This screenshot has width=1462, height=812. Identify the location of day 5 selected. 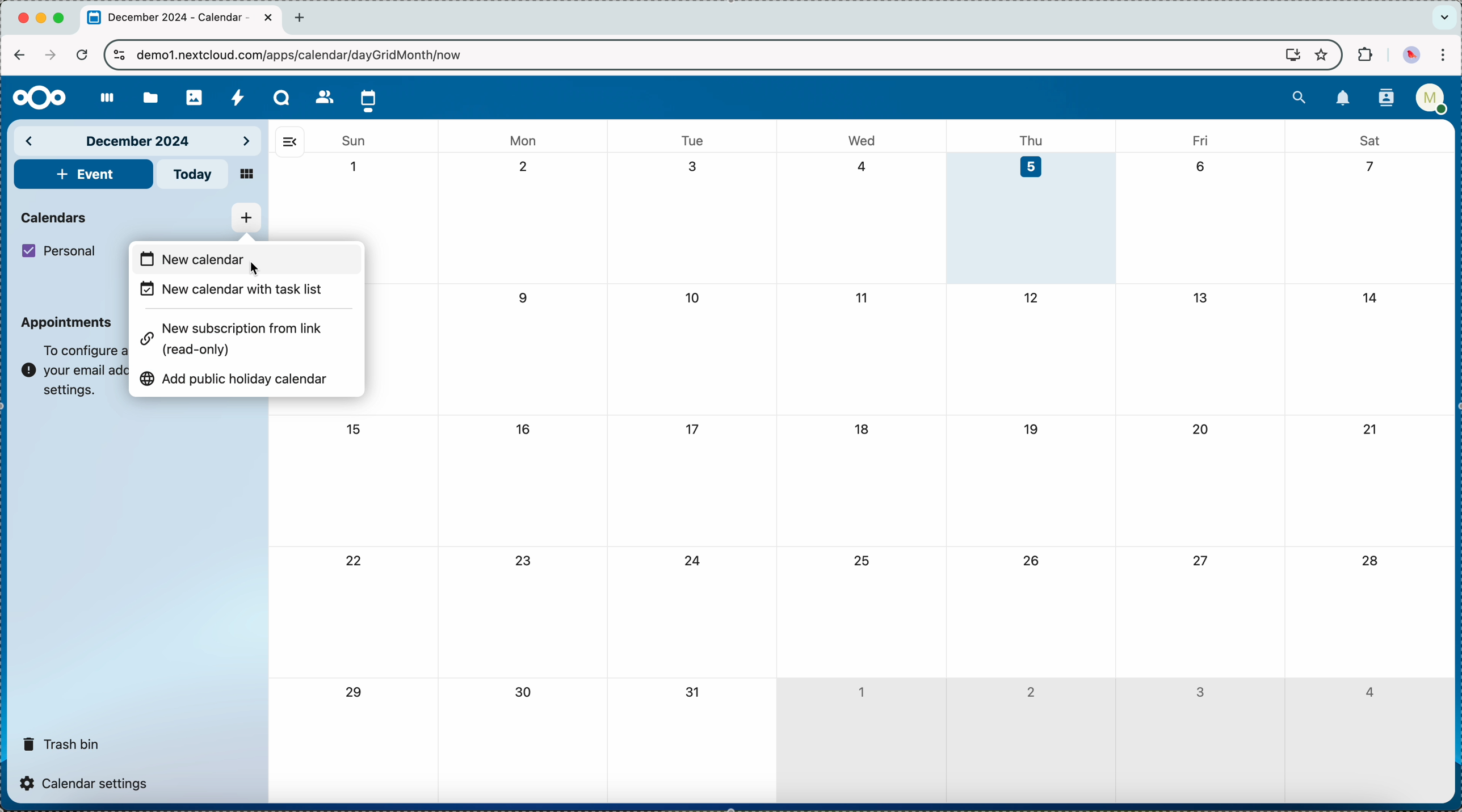
(1034, 218).